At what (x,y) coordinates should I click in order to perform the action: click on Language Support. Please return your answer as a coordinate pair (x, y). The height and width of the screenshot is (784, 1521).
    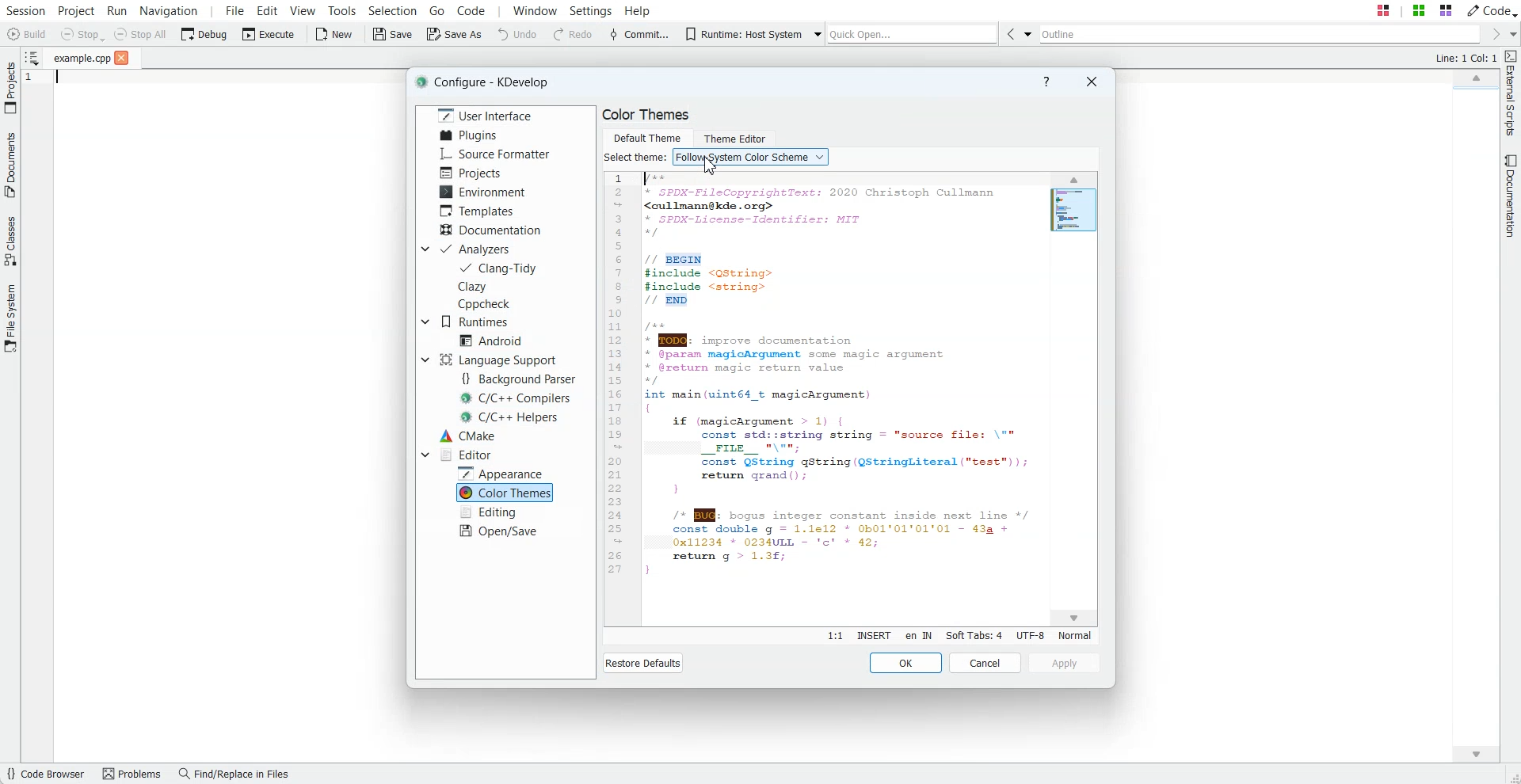
    Looking at the image, I should click on (497, 360).